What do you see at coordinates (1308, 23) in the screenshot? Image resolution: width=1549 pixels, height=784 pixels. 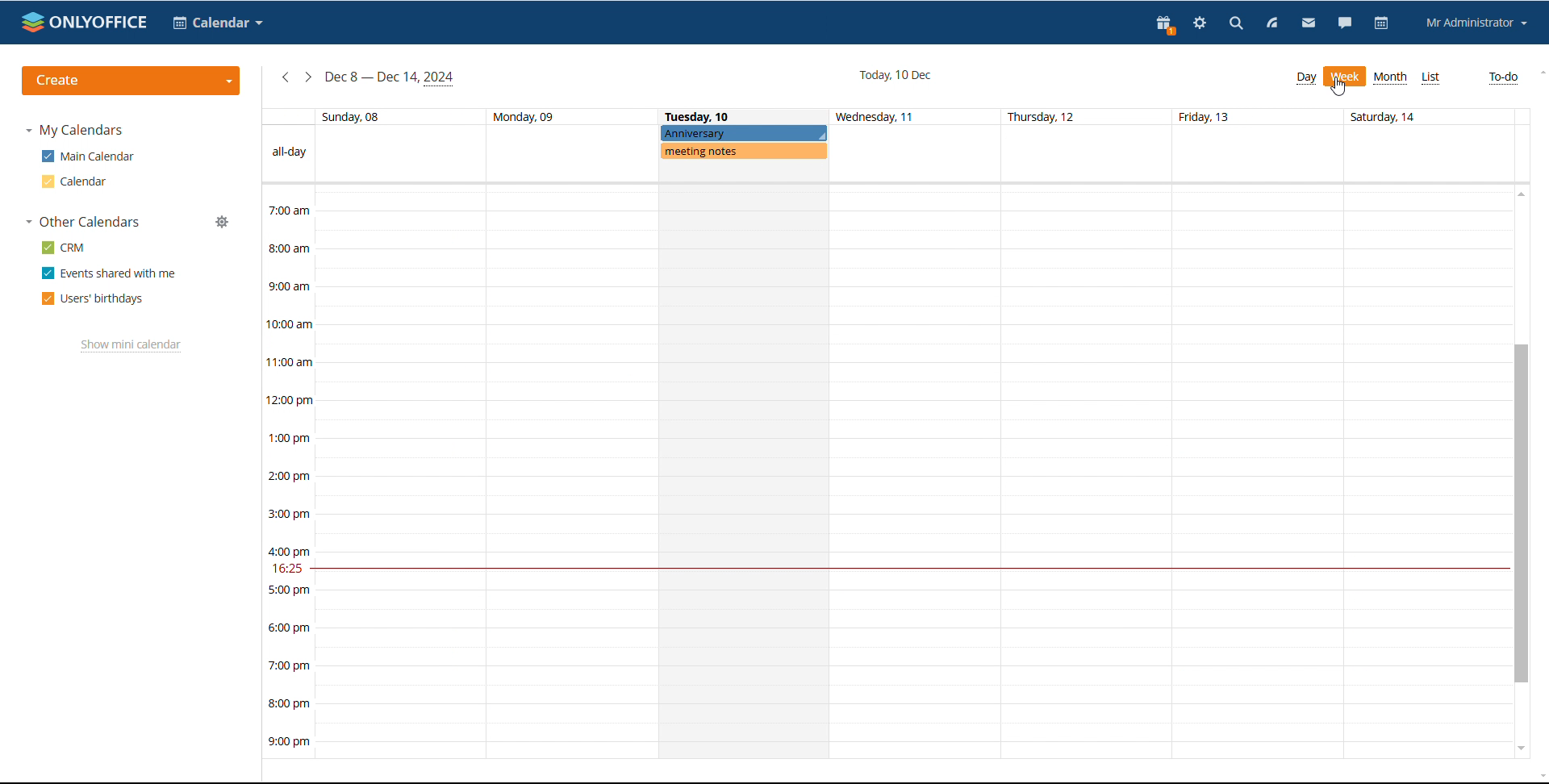 I see `mail` at bounding box center [1308, 23].